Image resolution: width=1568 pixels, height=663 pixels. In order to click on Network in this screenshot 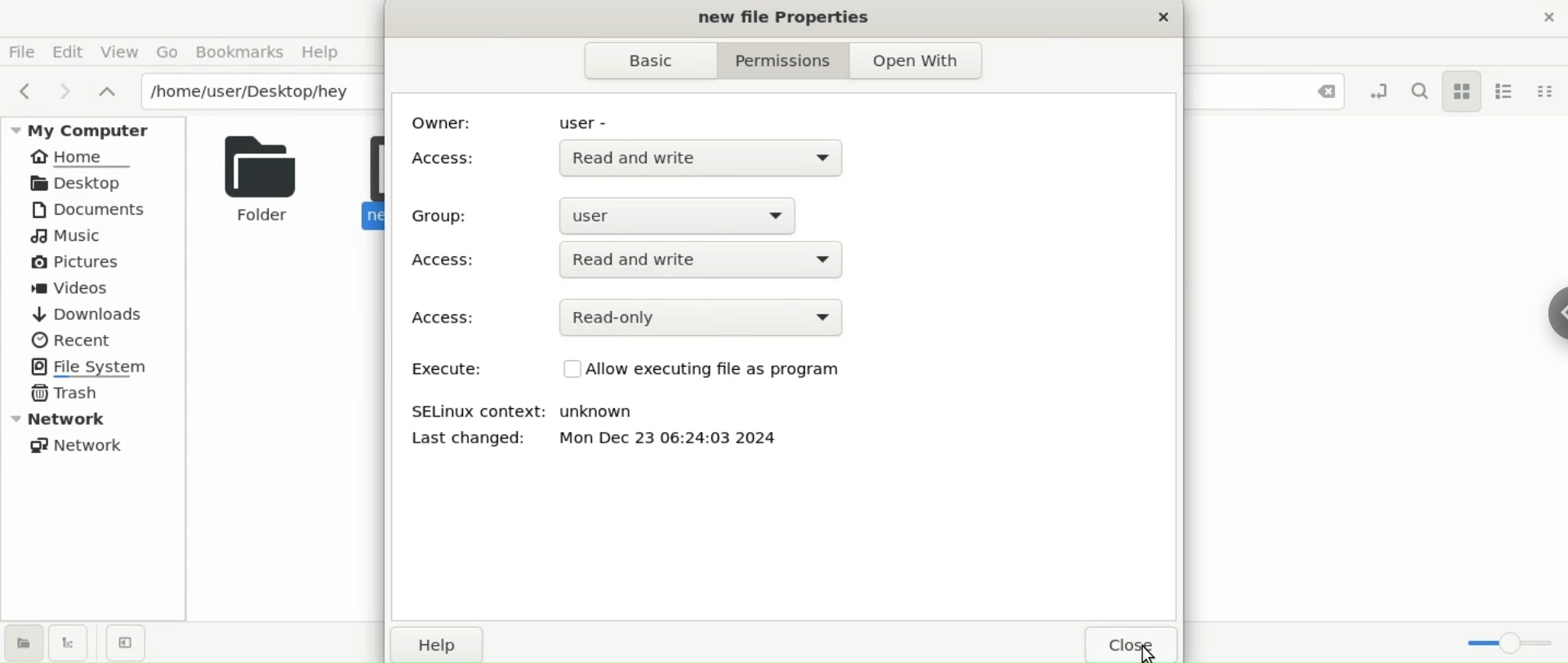, I will do `click(82, 445)`.